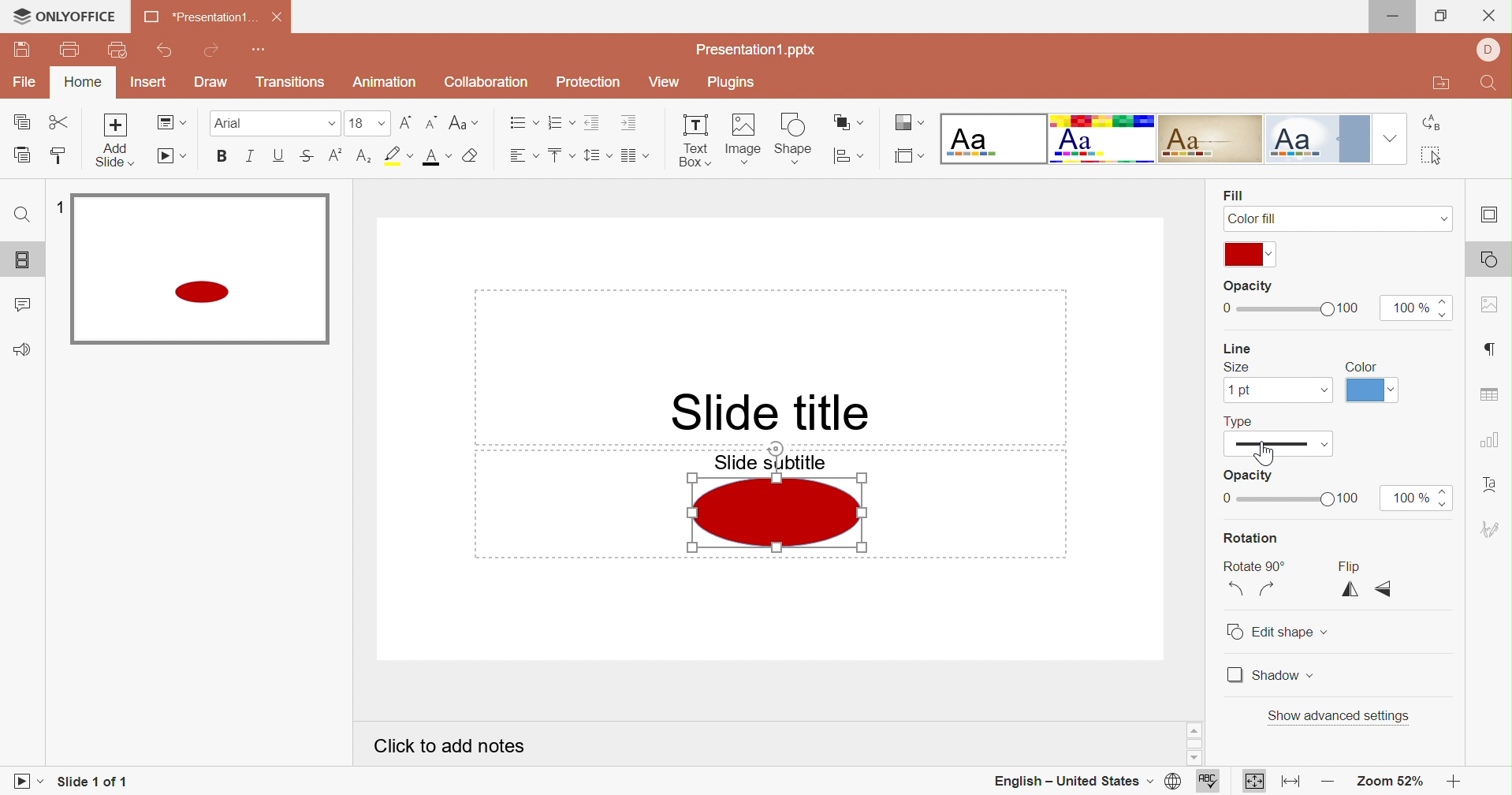  Describe the element at coordinates (592, 125) in the screenshot. I see `Decrease Indent` at that location.